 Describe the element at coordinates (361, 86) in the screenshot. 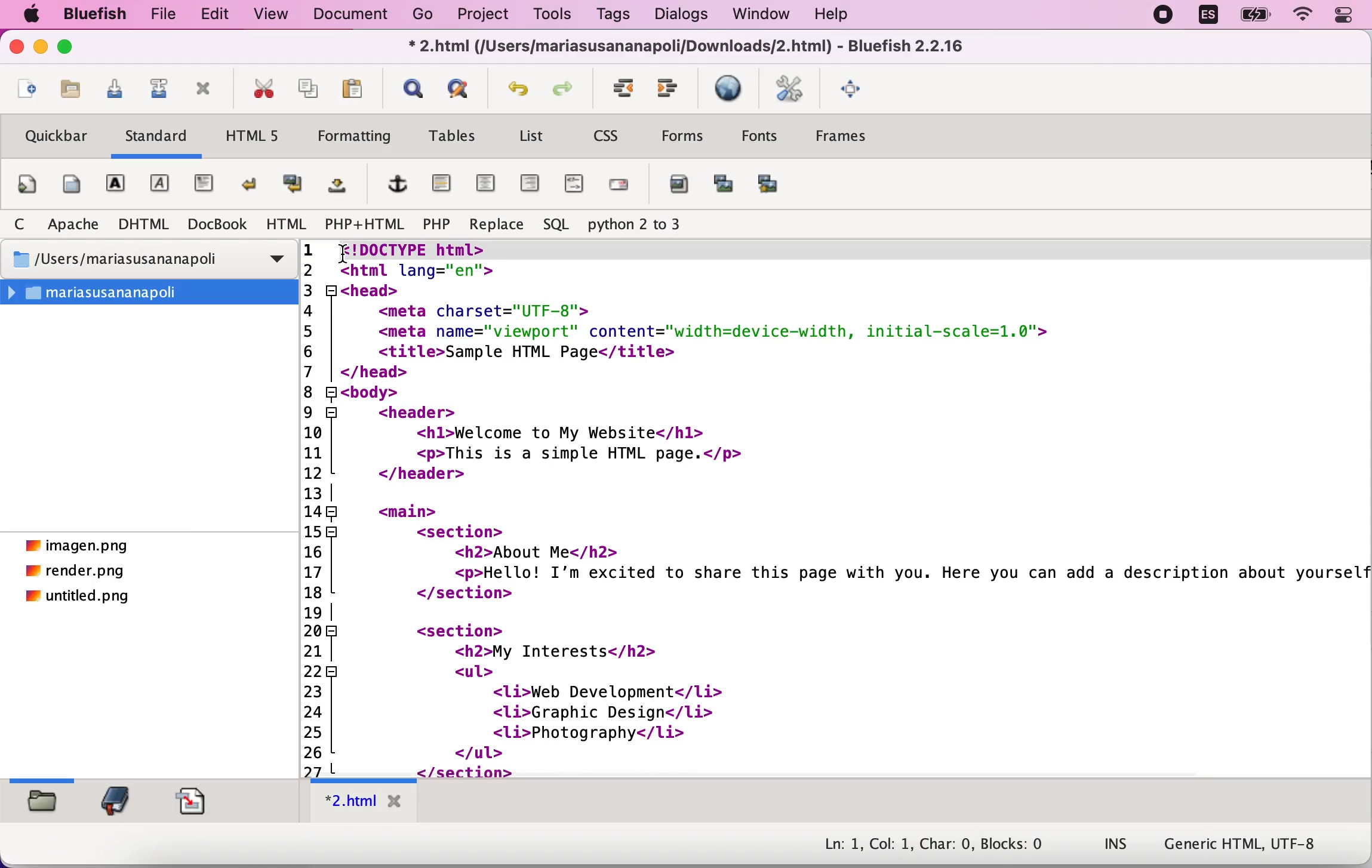

I see `paste` at that location.